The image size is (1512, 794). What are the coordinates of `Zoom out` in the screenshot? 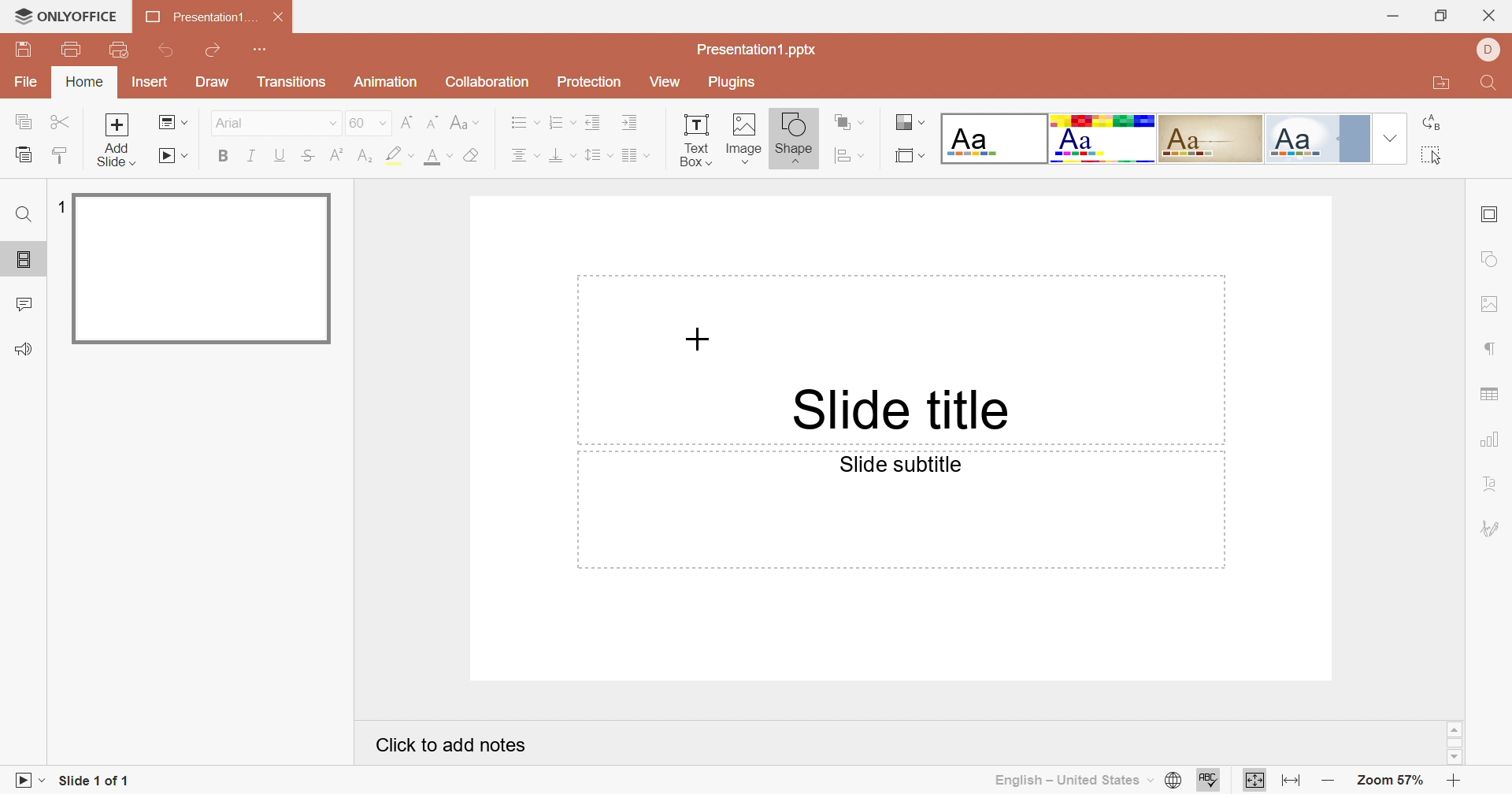 It's located at (1328, 781).